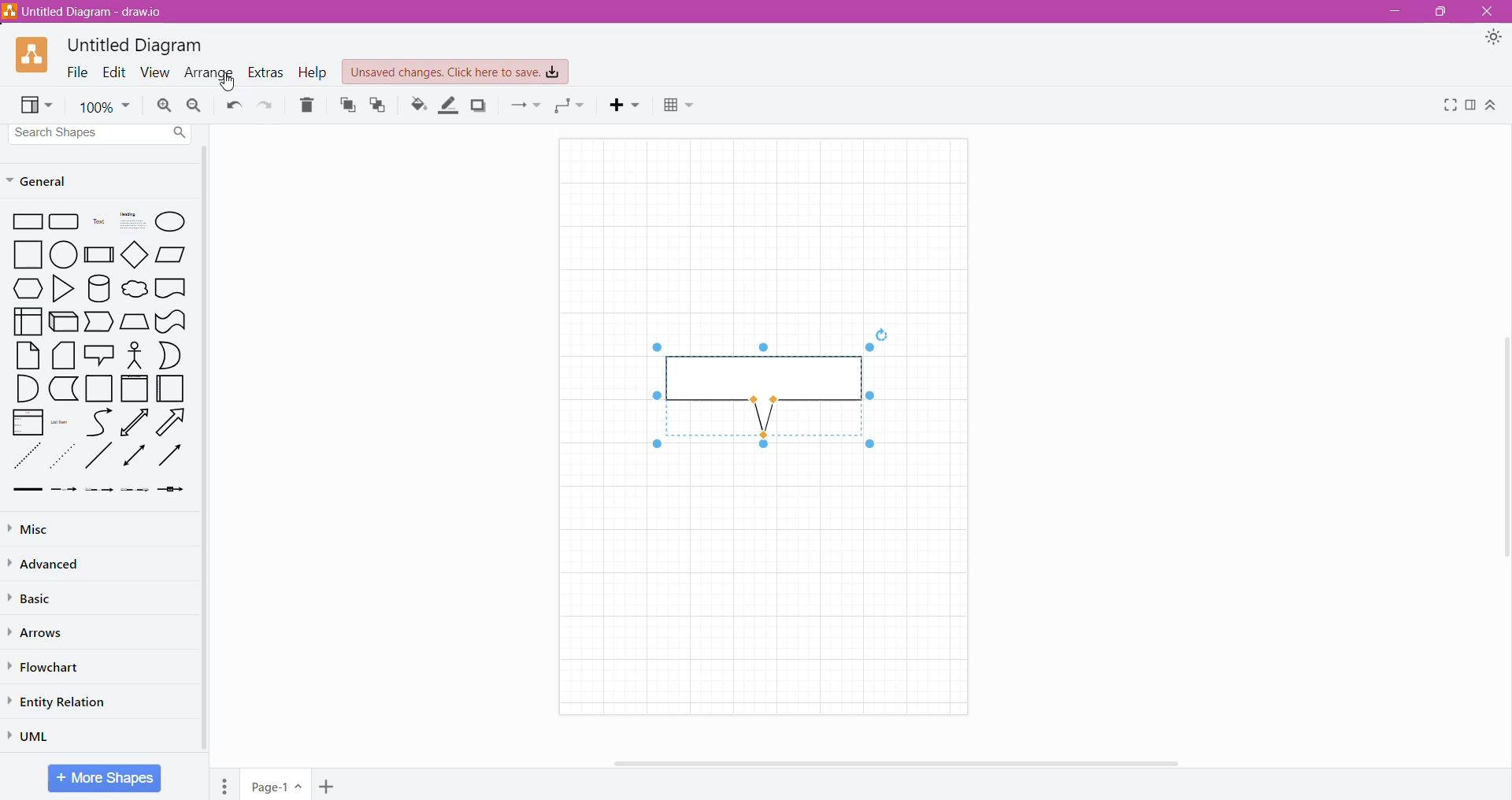  I want to click on Thick line, so click(28, 491).